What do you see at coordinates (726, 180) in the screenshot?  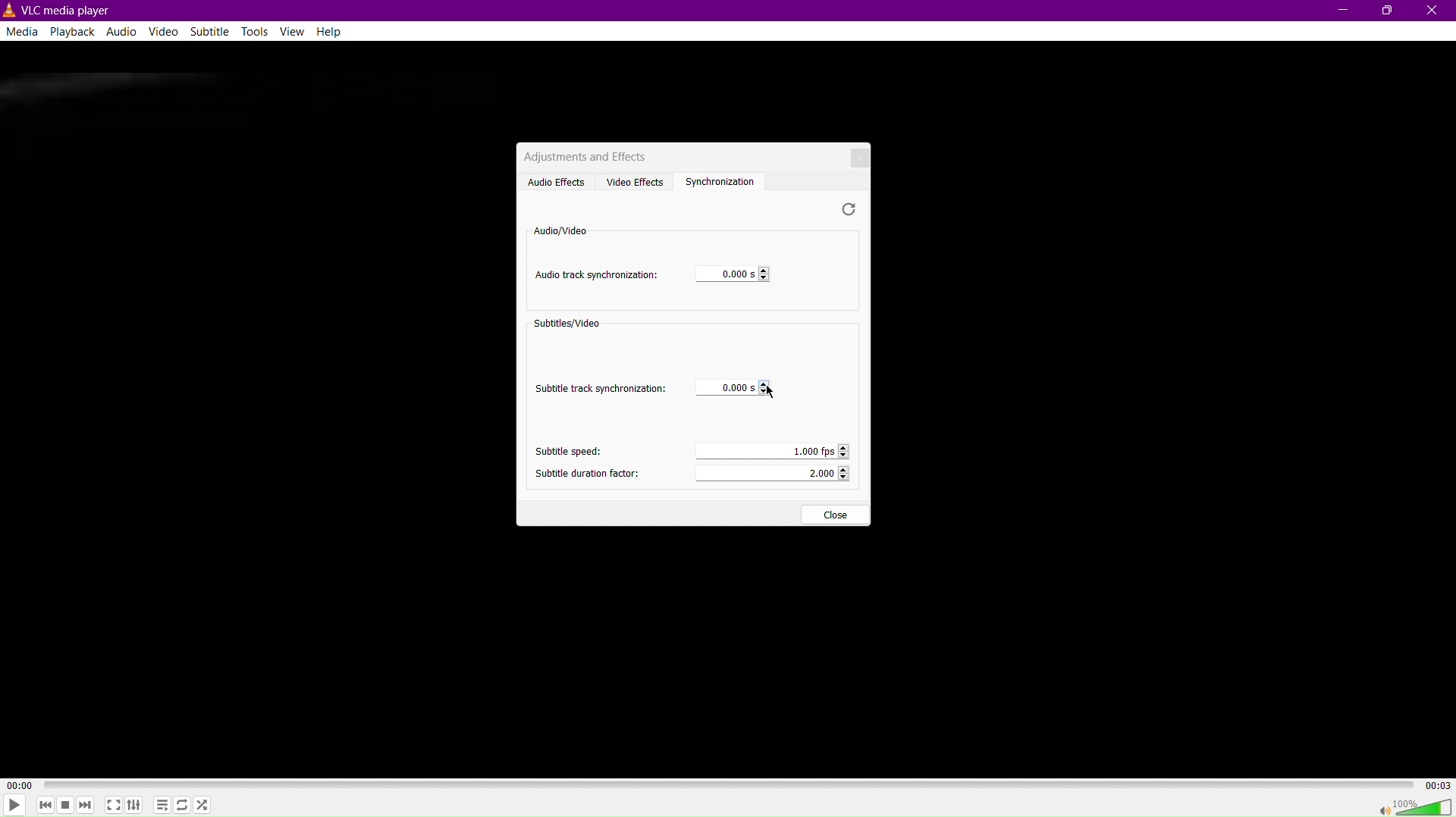 I see `Synchronization` at bounding box center [726, 180].